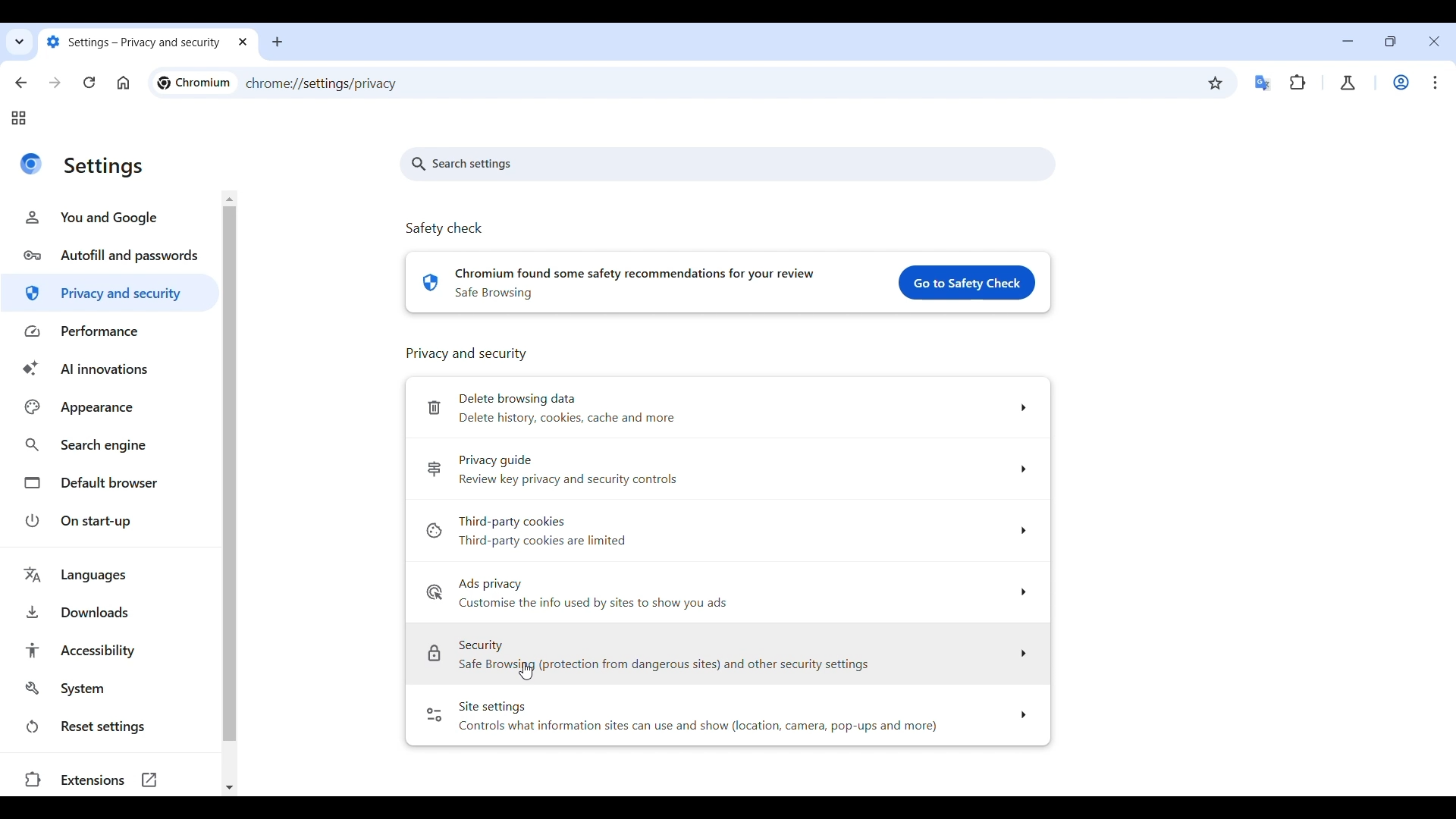 The height and width of the screenshot is (819, 1456). What do you see at coordinates (466, 354) in the screenshot?
I see ` Privacy and Security` at bounding box center [466, 354].